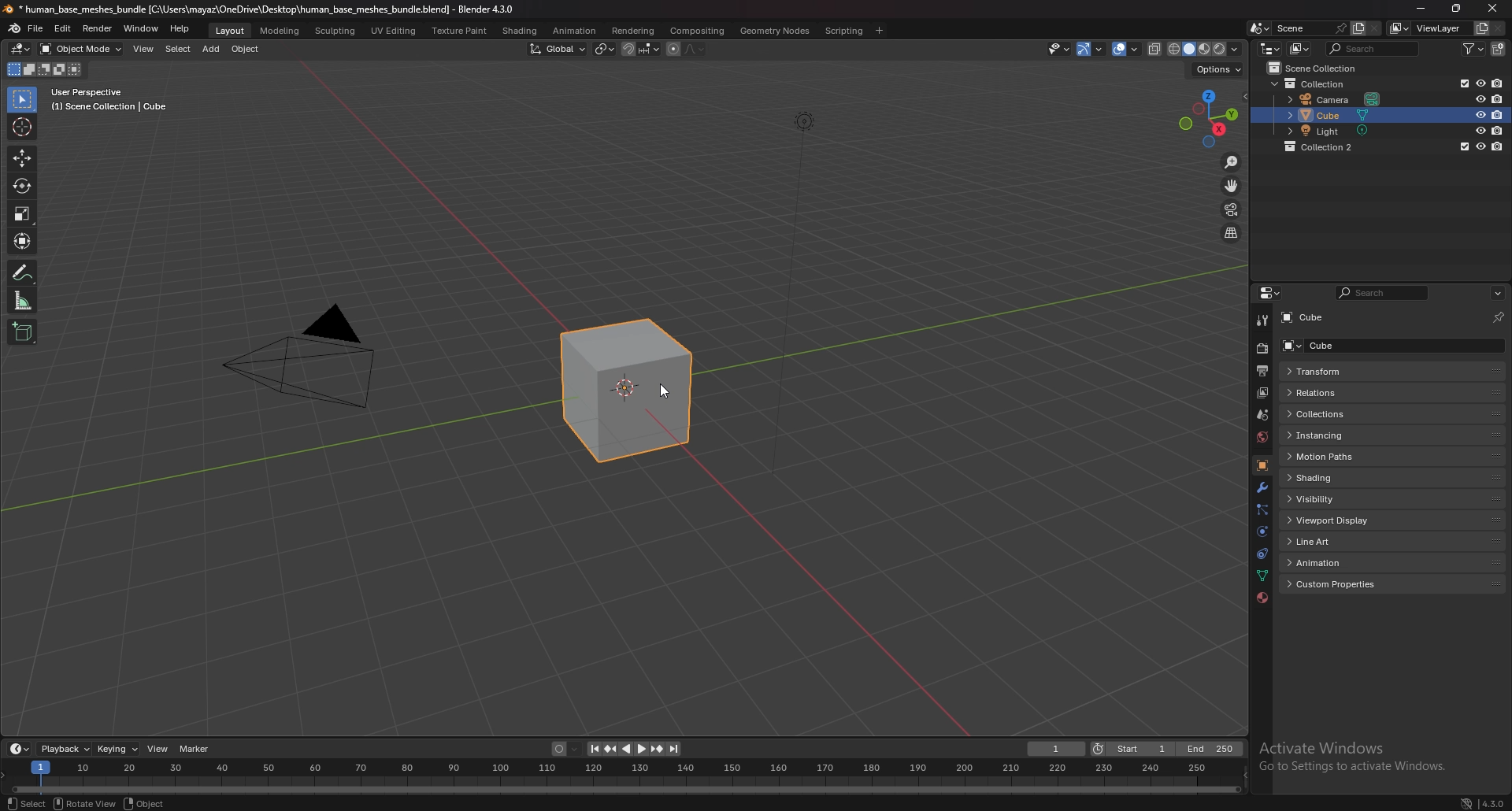 Image resolution: width=1512 pixels, height=811 pixels. Describe the element at coordinates (1315, 83) in the screenshot. I see `collection` at that location.